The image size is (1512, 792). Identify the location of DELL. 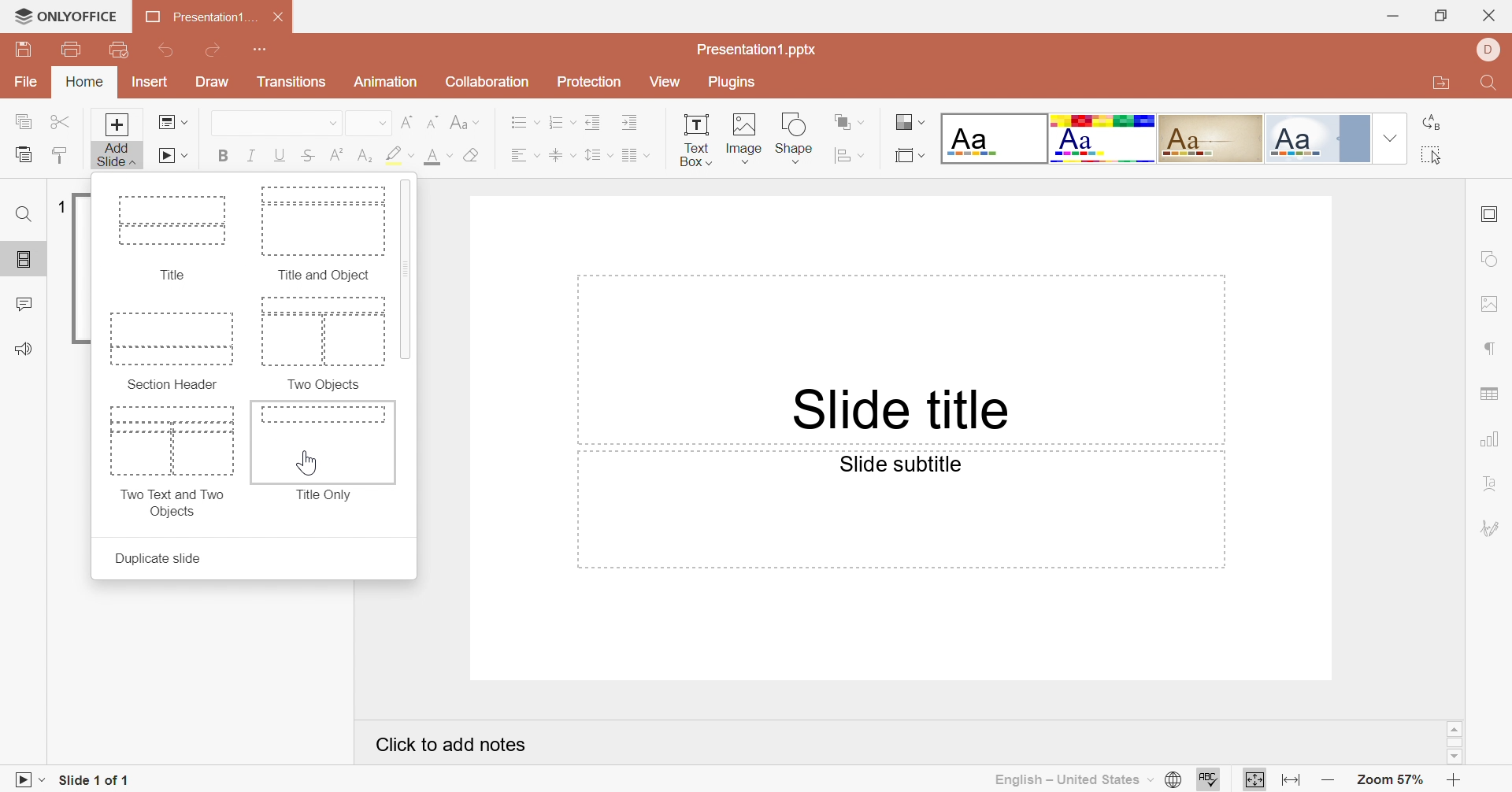
(1489, 50).